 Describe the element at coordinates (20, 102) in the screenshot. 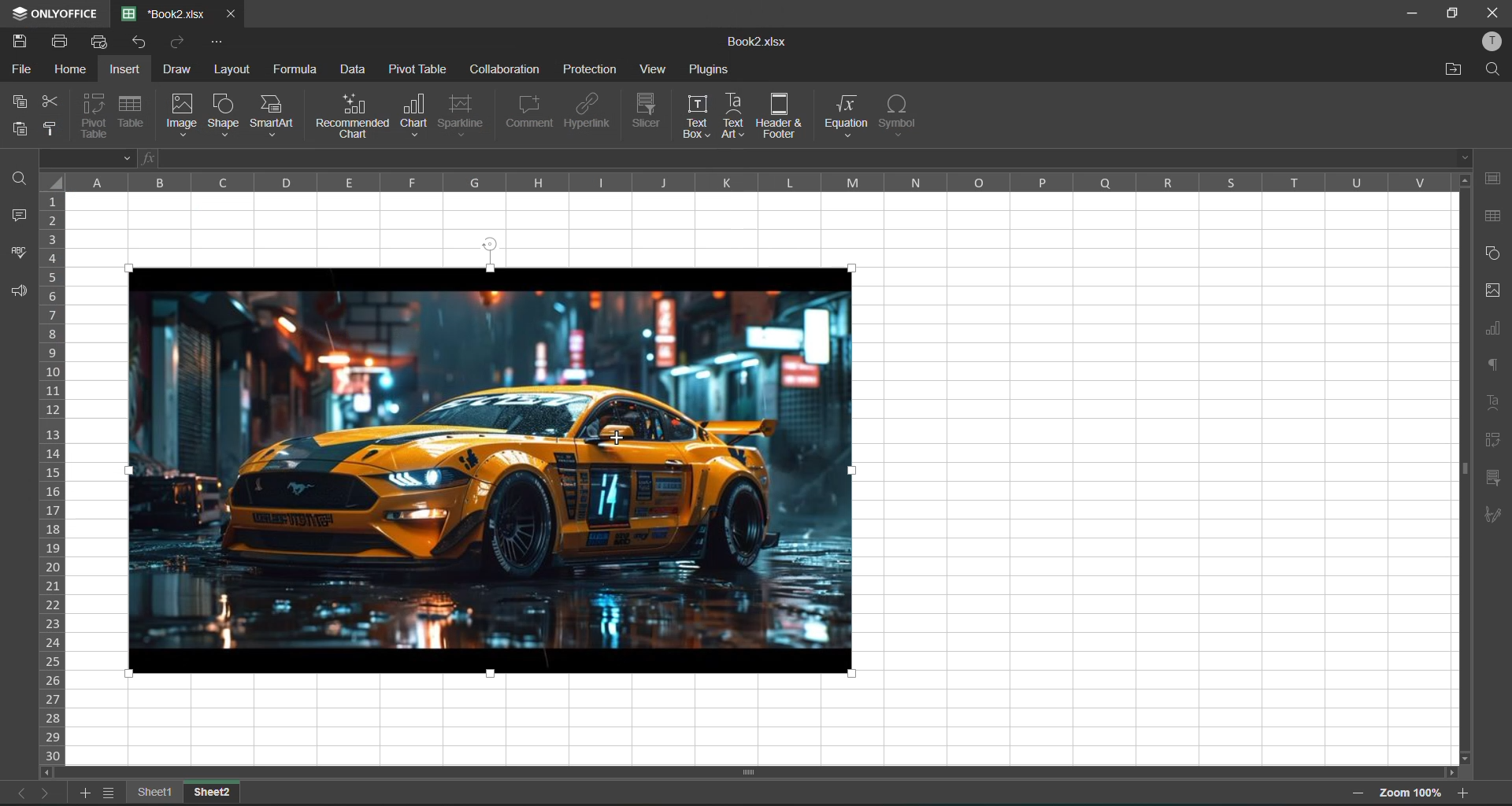

I see `copy` at that location.